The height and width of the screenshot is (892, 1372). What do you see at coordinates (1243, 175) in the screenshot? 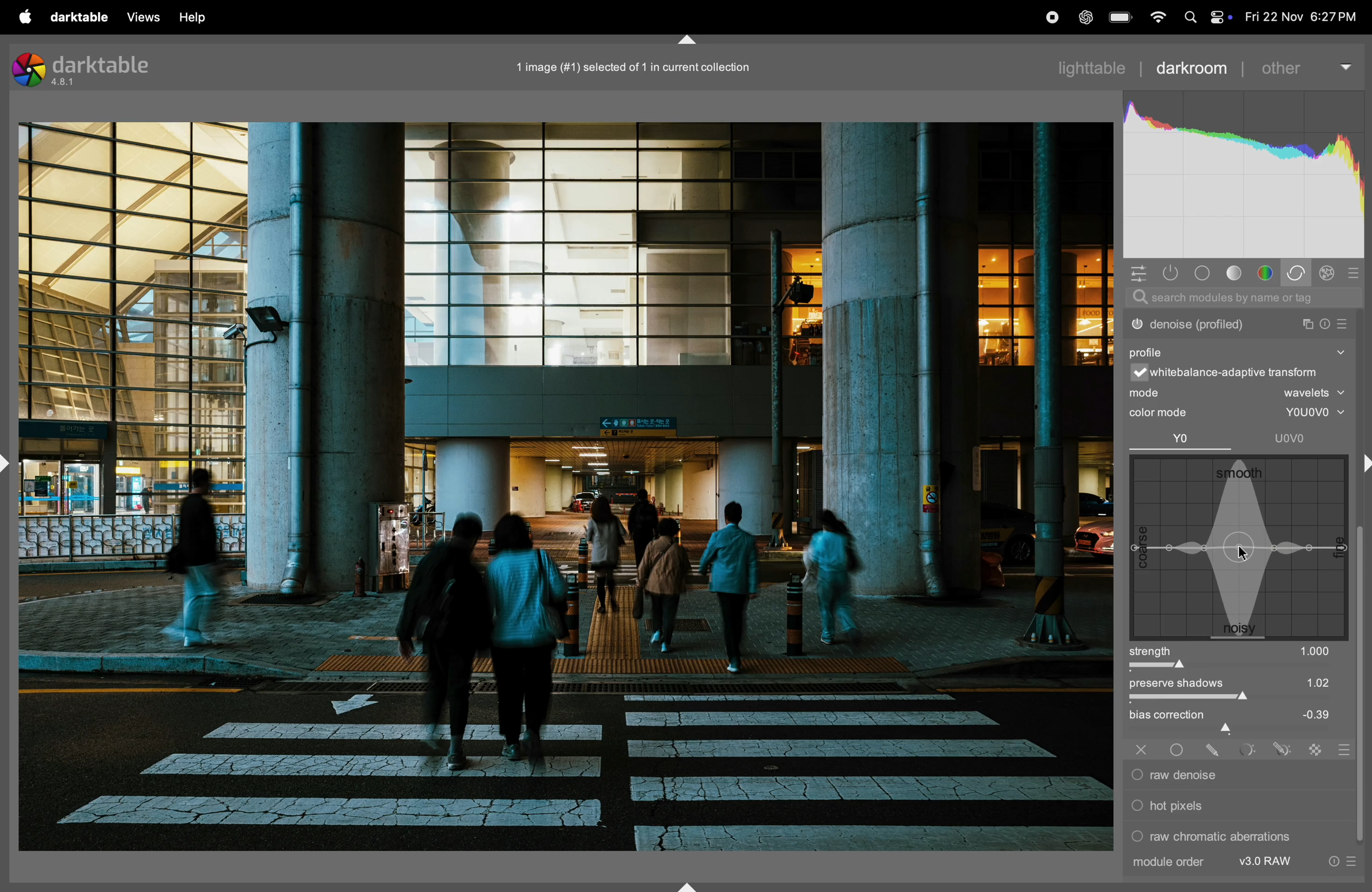
I see `histogram` at bounding box center [1243, 175].